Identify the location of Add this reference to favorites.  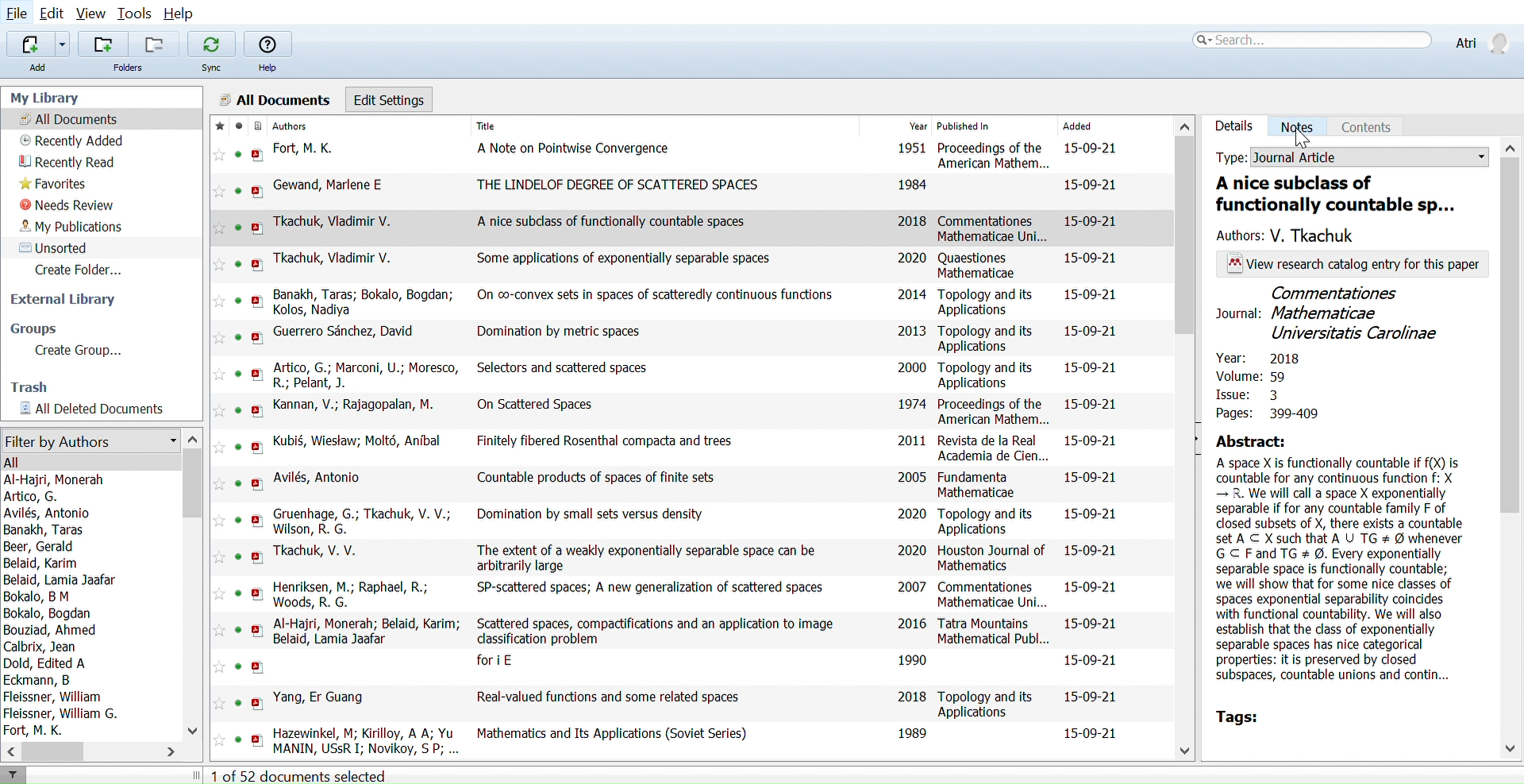
(220, 228).